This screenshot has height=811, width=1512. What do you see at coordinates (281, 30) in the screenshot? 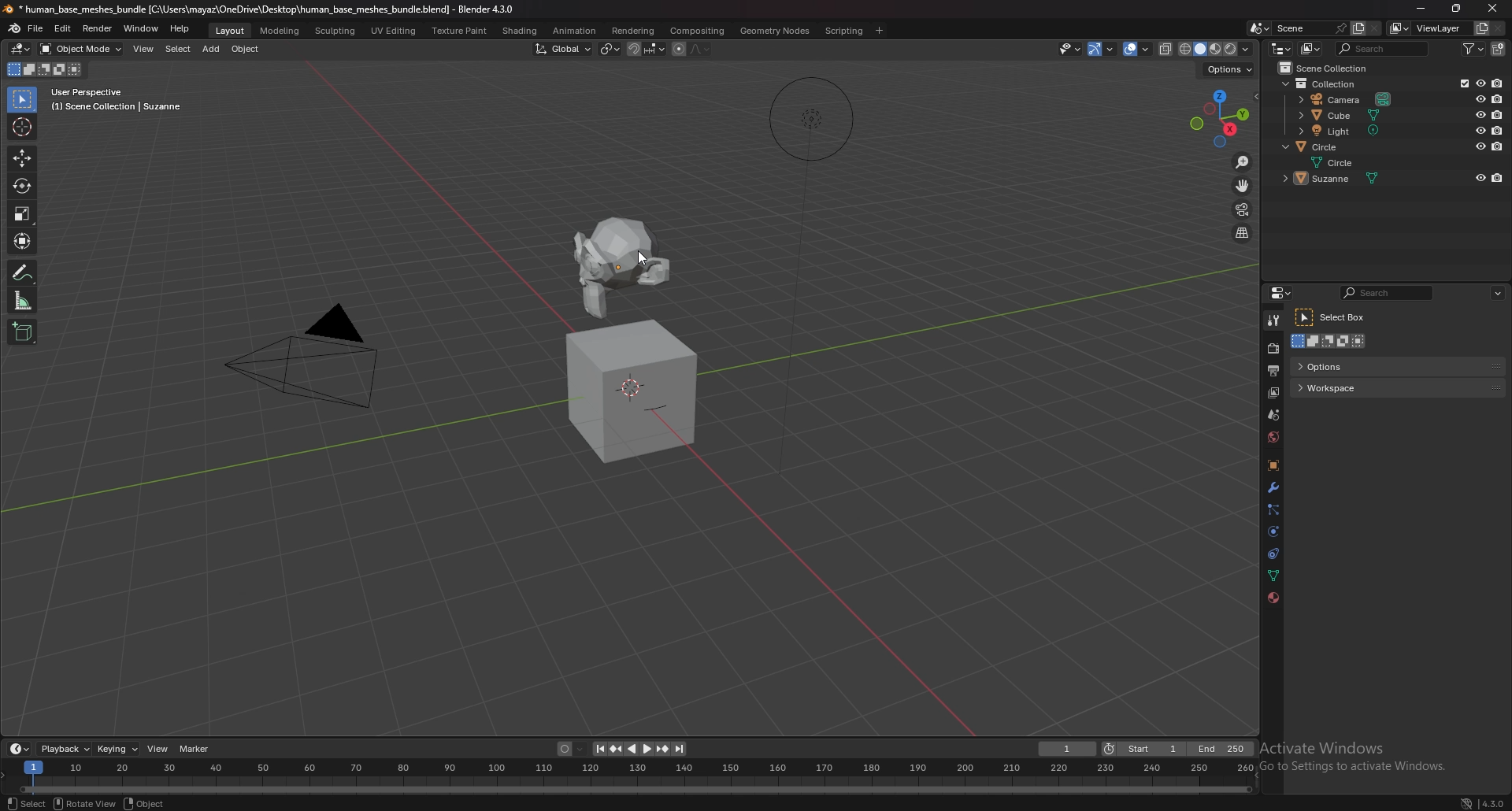
I see `modeling` at bounding box center [281, 30].